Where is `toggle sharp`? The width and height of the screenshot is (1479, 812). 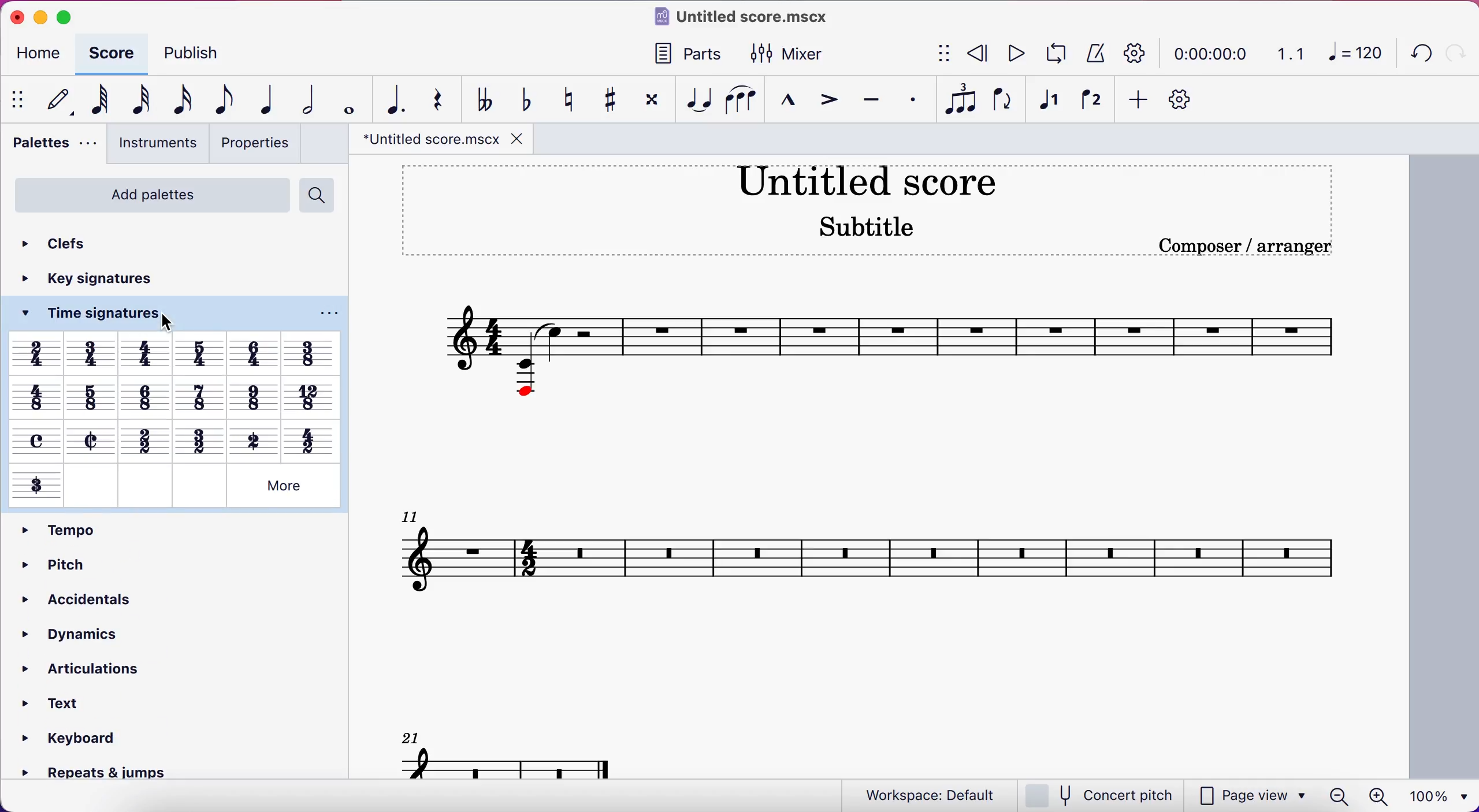 toggle sharp is located at coordinates (607, 99).